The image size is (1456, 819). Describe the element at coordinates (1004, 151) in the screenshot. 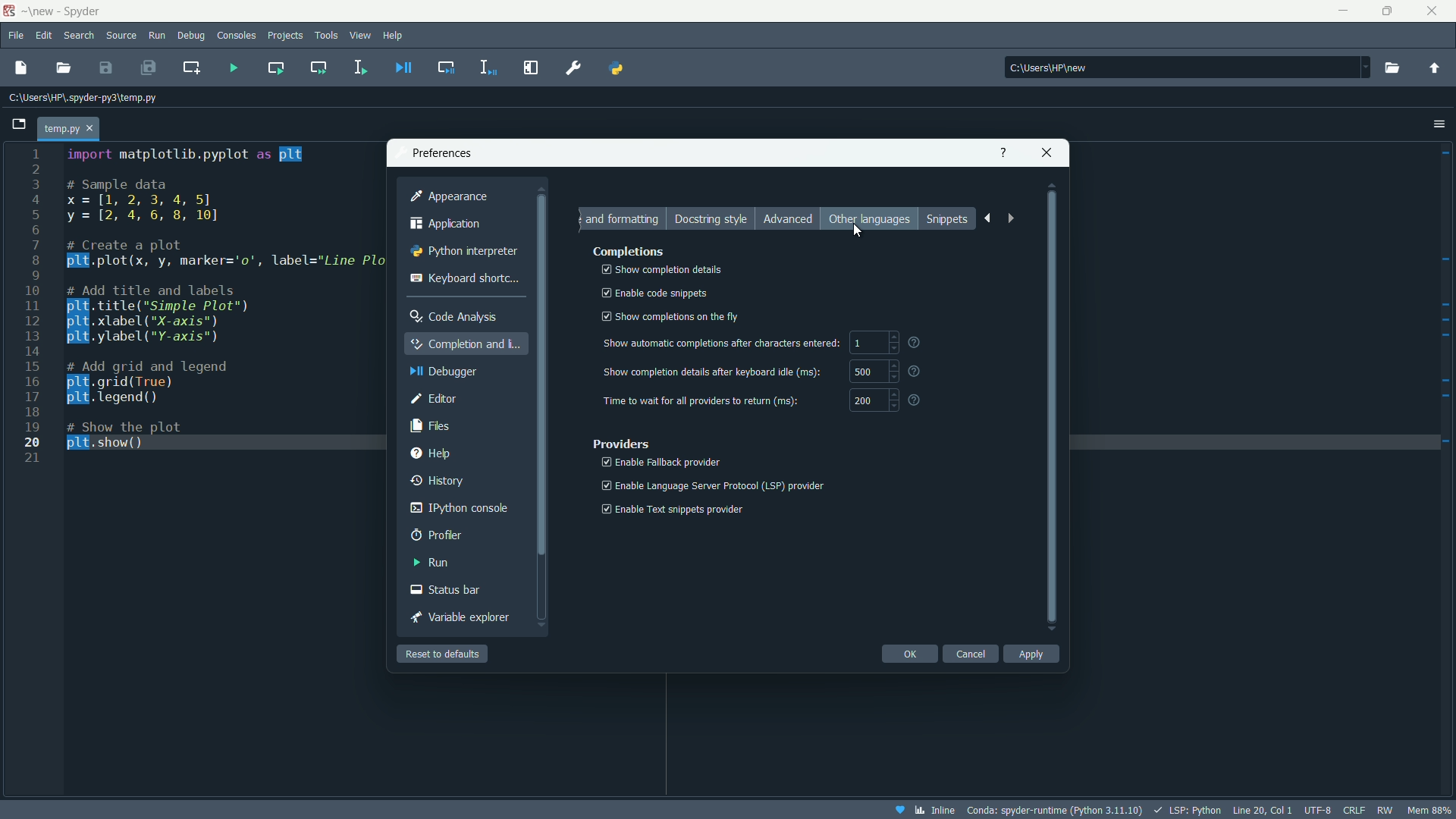

I see `help` at that location.